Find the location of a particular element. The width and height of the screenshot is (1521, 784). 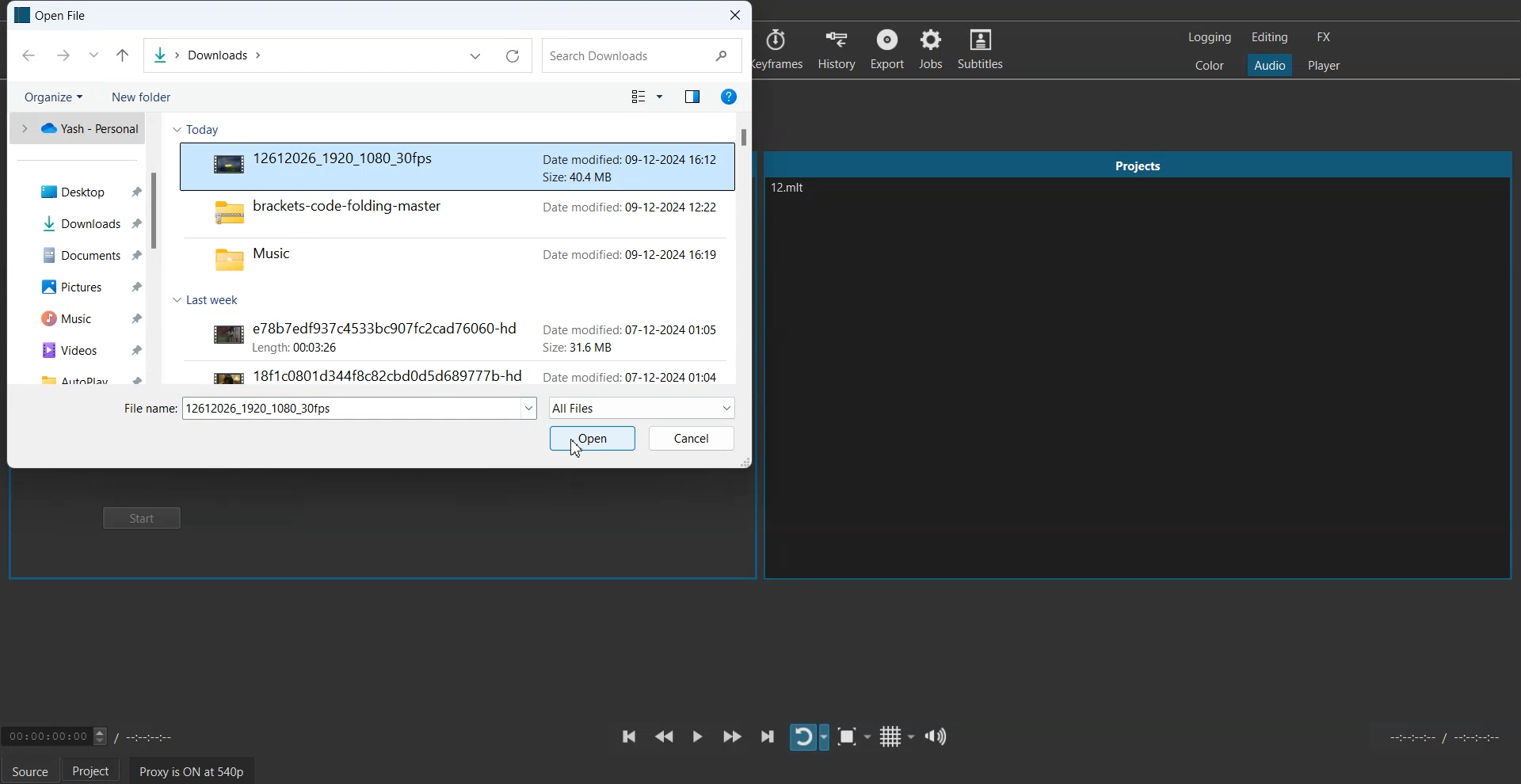

All Files is located at coordinates (642, 407).